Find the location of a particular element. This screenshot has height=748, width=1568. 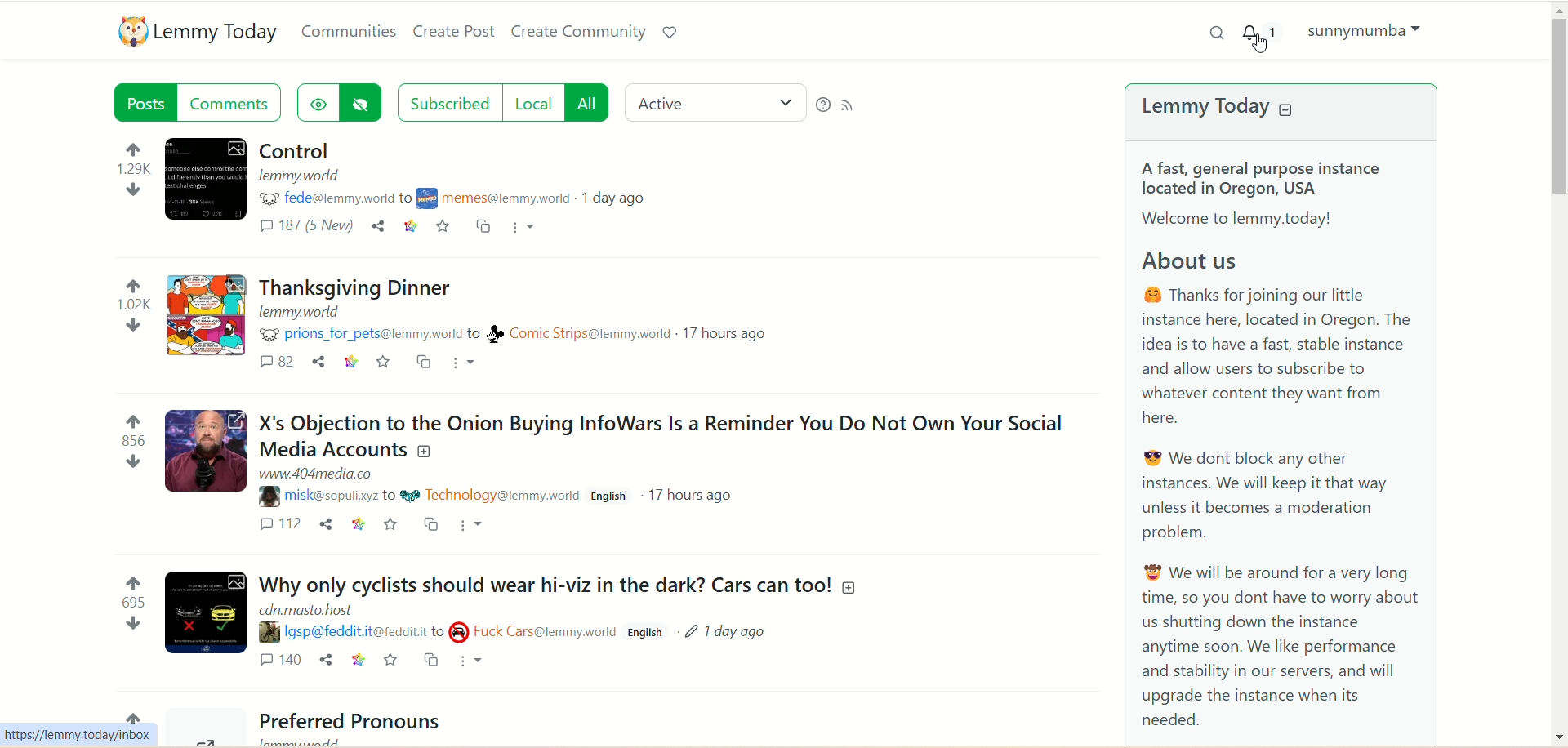

share is located at coordinates (318, 363).